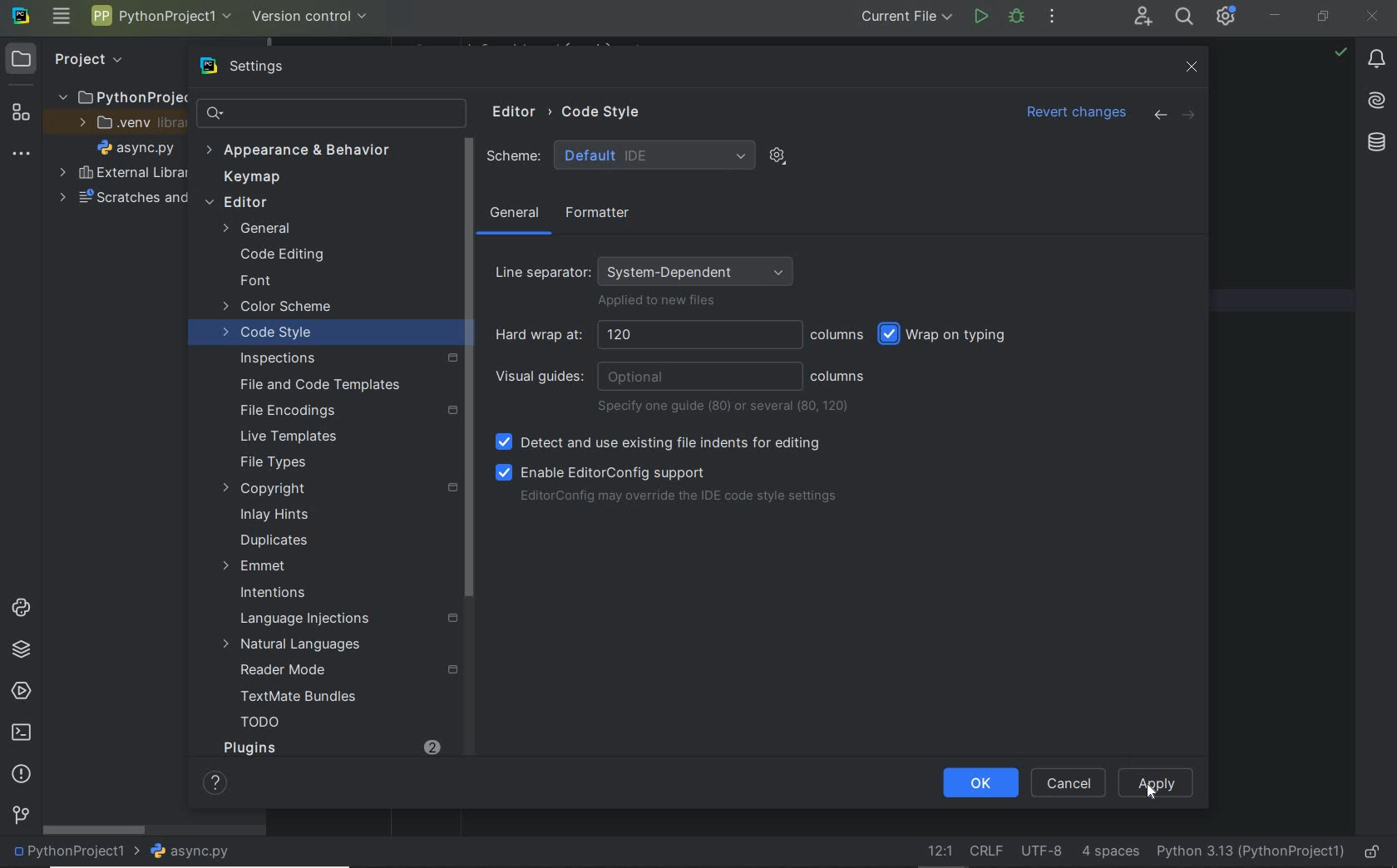 The width and height of the screenshot is (1397, 868). What do you see at coordinates (74, 852) in the screenshot?
I see `project name` at bounding box center [74, 852].